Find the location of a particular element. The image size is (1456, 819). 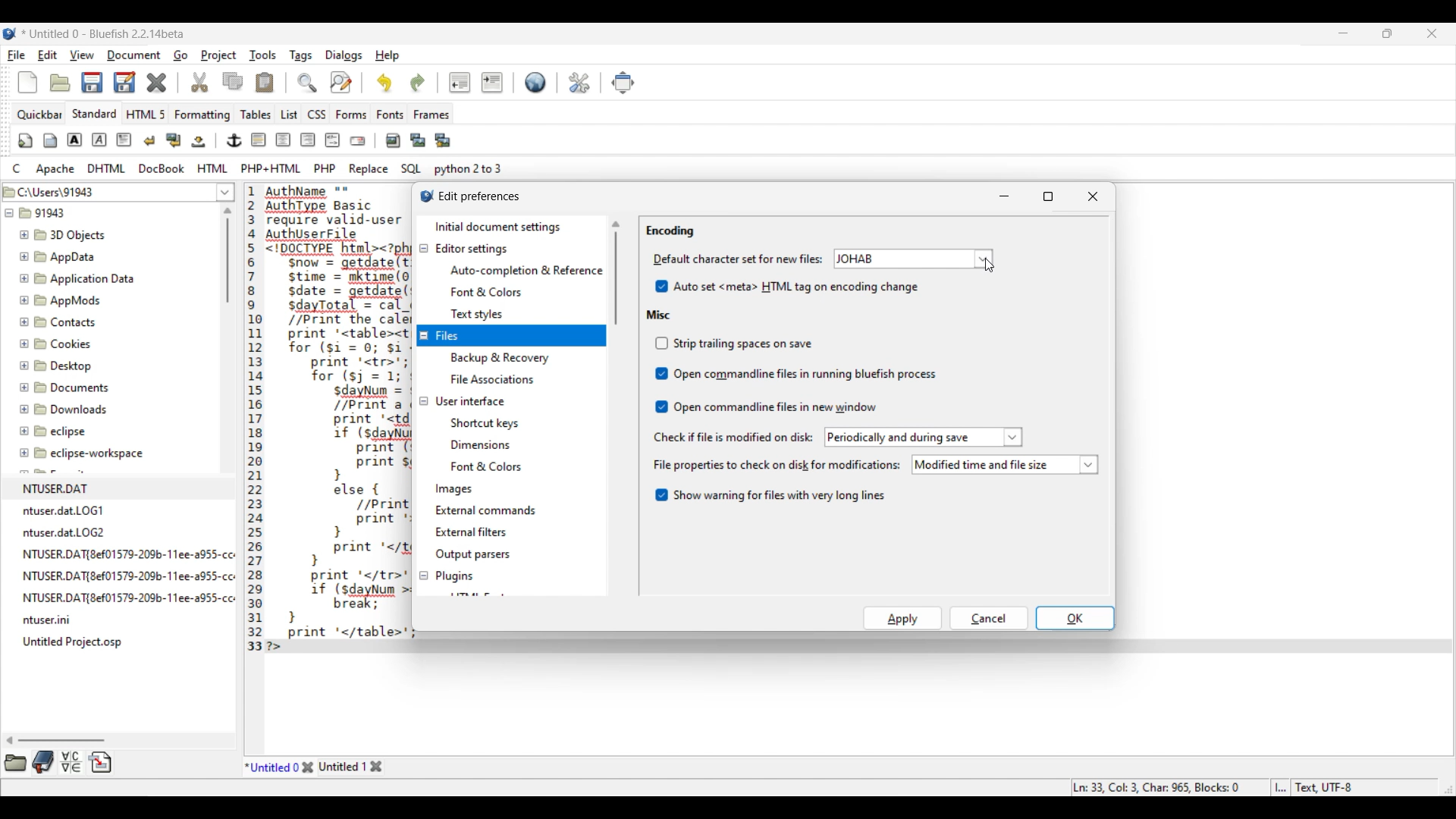

Cut is located at coordinates (199, 82).